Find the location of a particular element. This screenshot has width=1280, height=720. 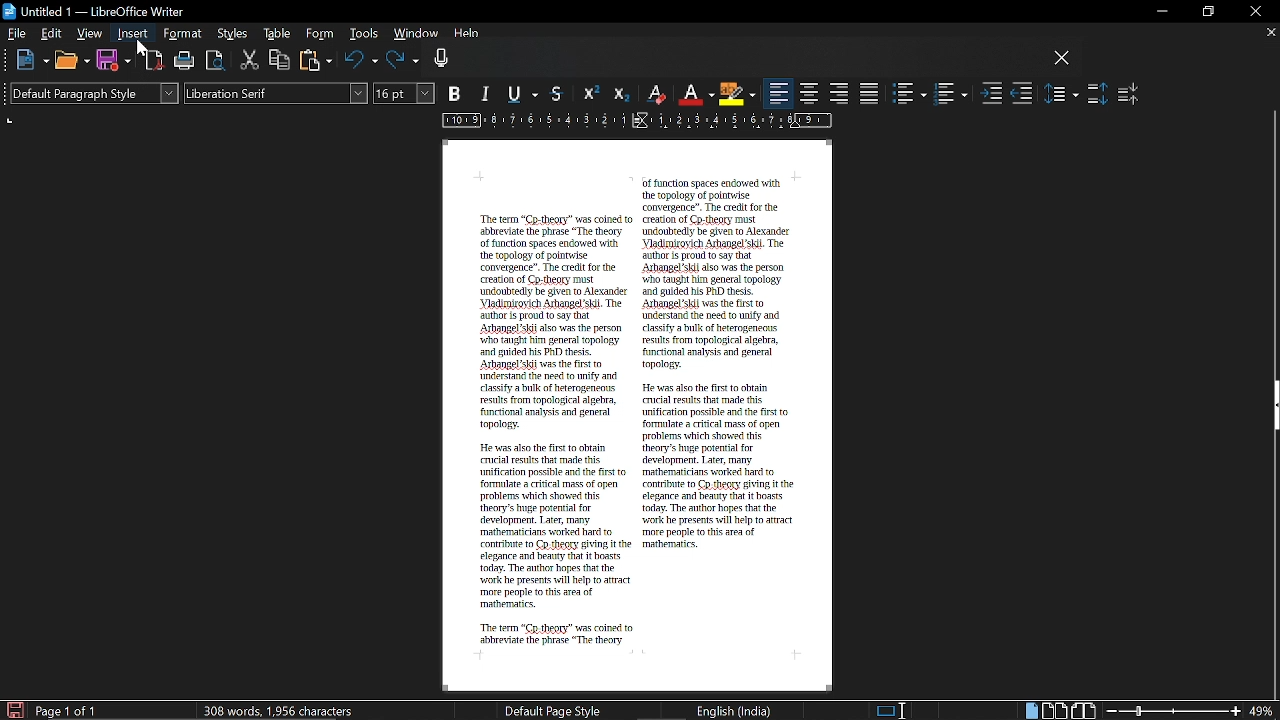

Restore down is located at coordinates (1206, 12).